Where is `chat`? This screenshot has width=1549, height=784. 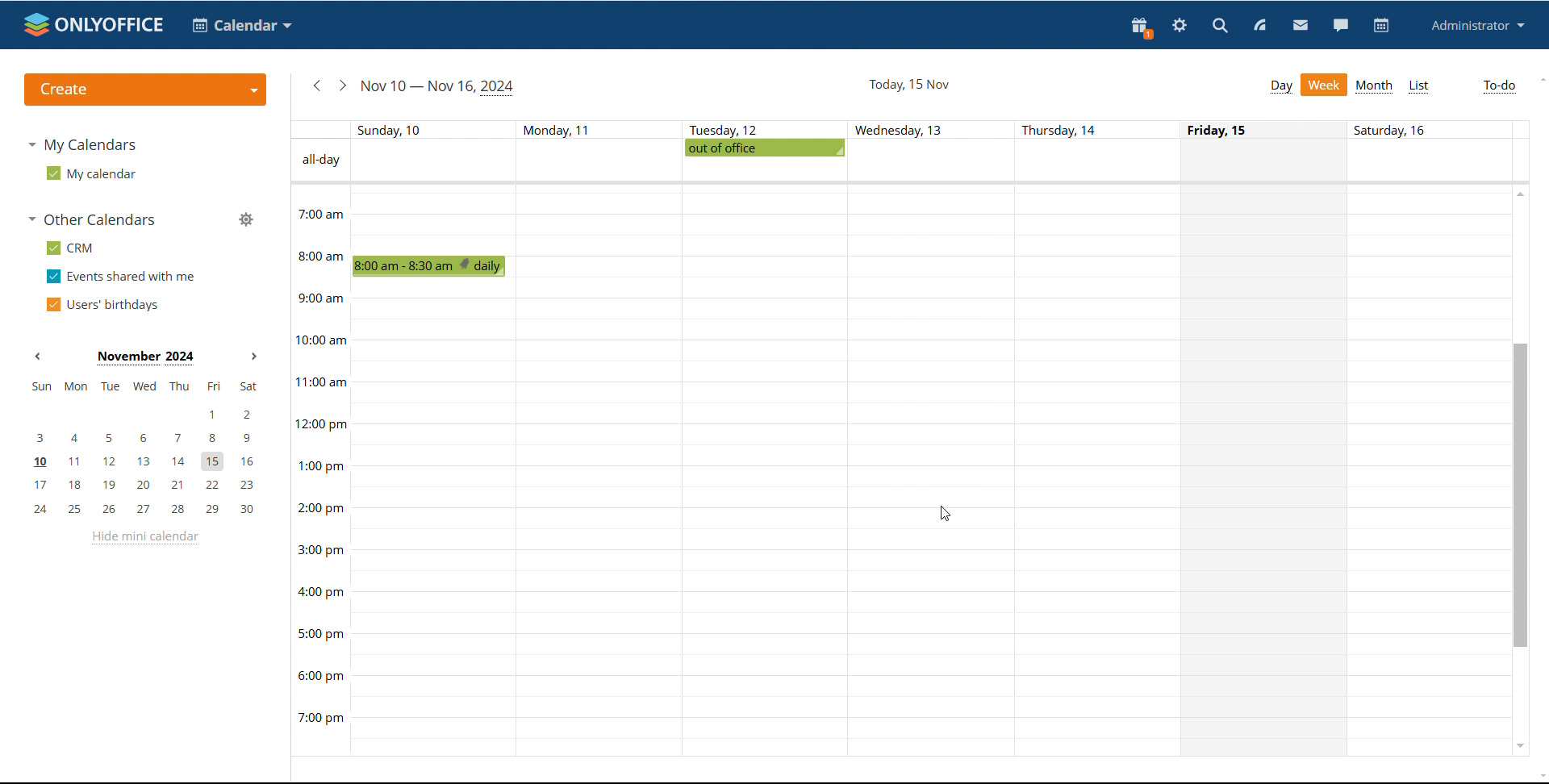
chat is located at coordinates (1338, 25).